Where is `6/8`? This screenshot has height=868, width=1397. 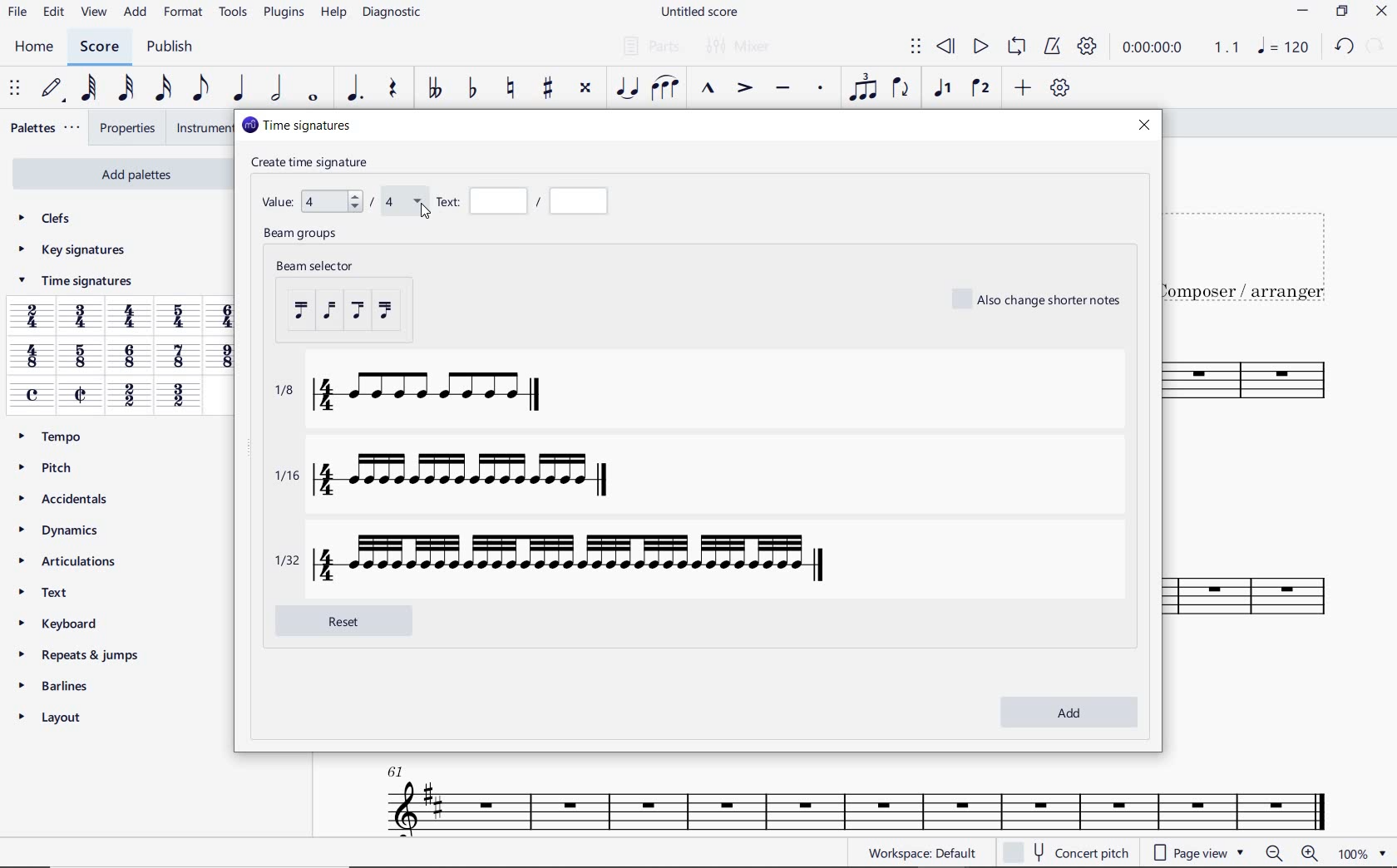
6/8 is located at coordinates (131, 357).